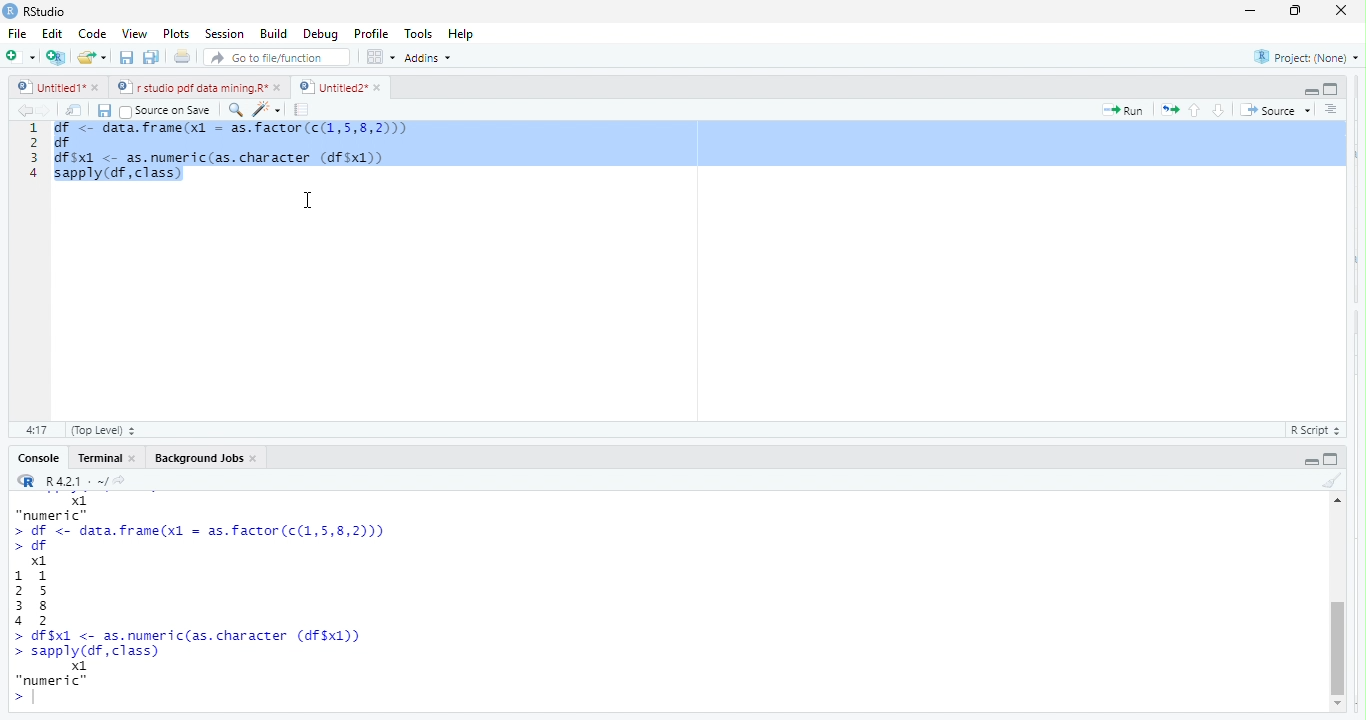  Describe the element at coordinates (370, 32) in the screenshot. I see `profile` at that location.